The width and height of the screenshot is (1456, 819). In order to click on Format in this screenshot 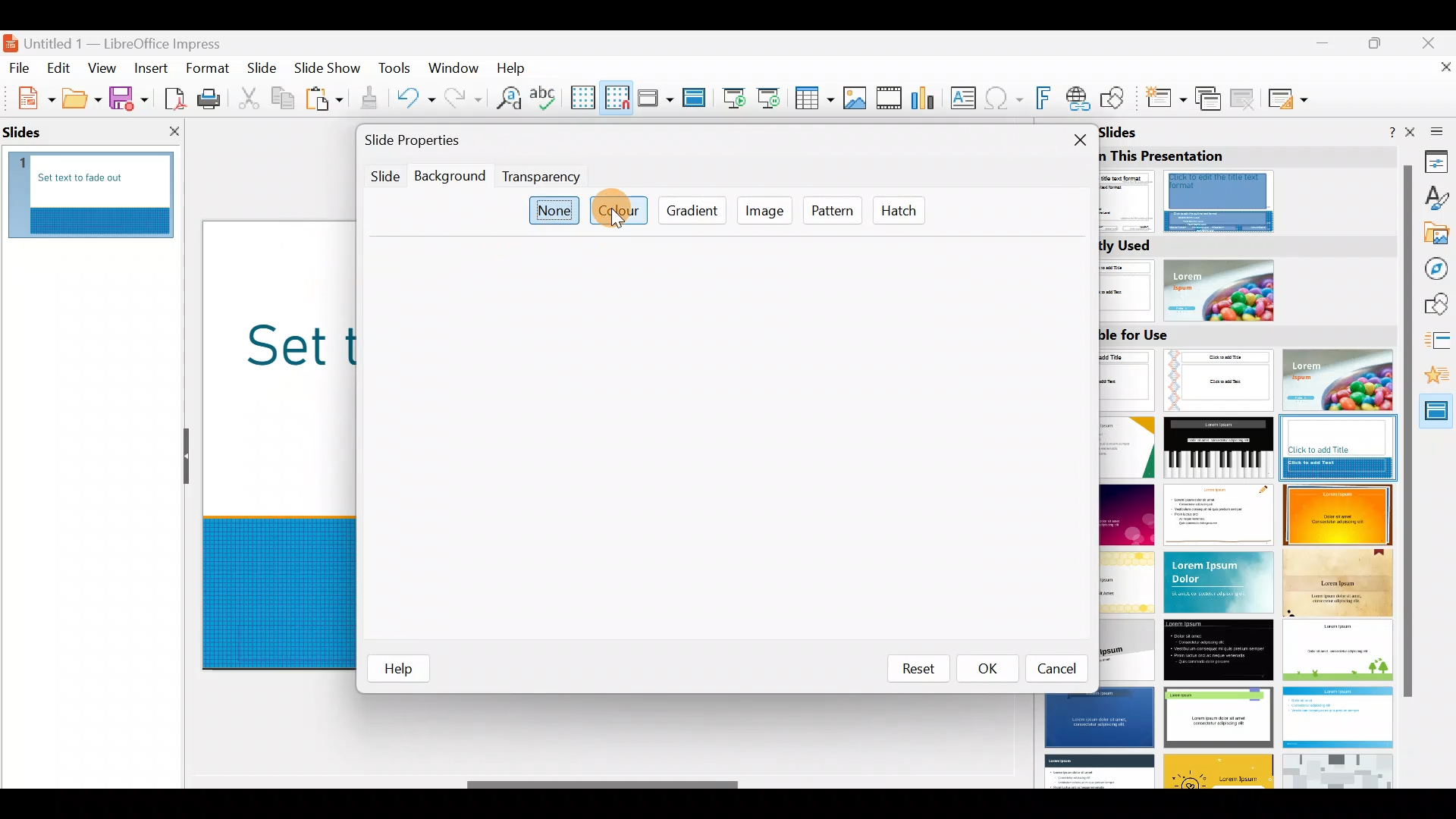, I will do `click(206, 67)`.